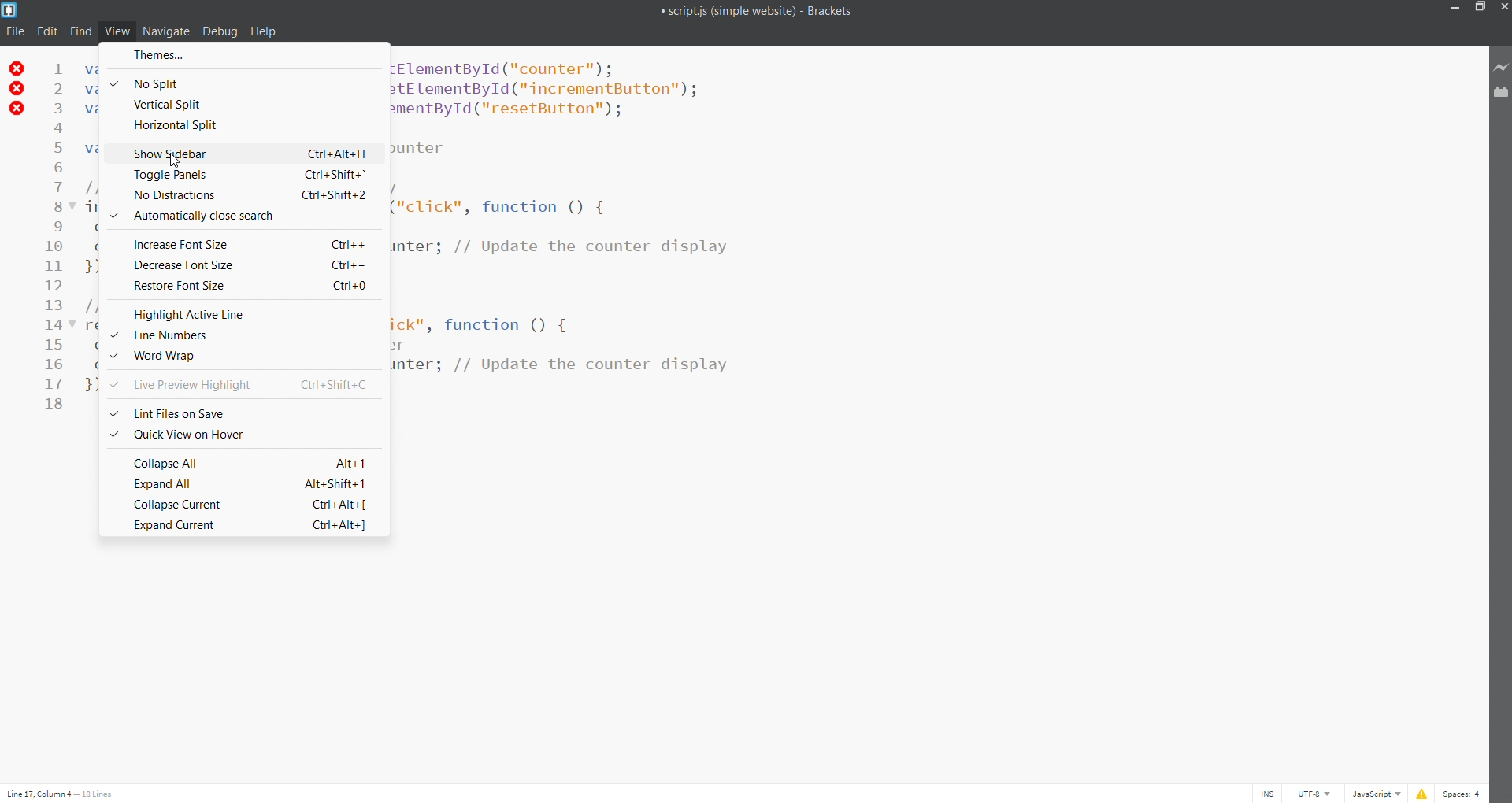 The image size is (1512, 803). What do you see at coordinates (1267, 794) in the screenshot?
I see `cursor toggle` at bounding box center [1267, 794].